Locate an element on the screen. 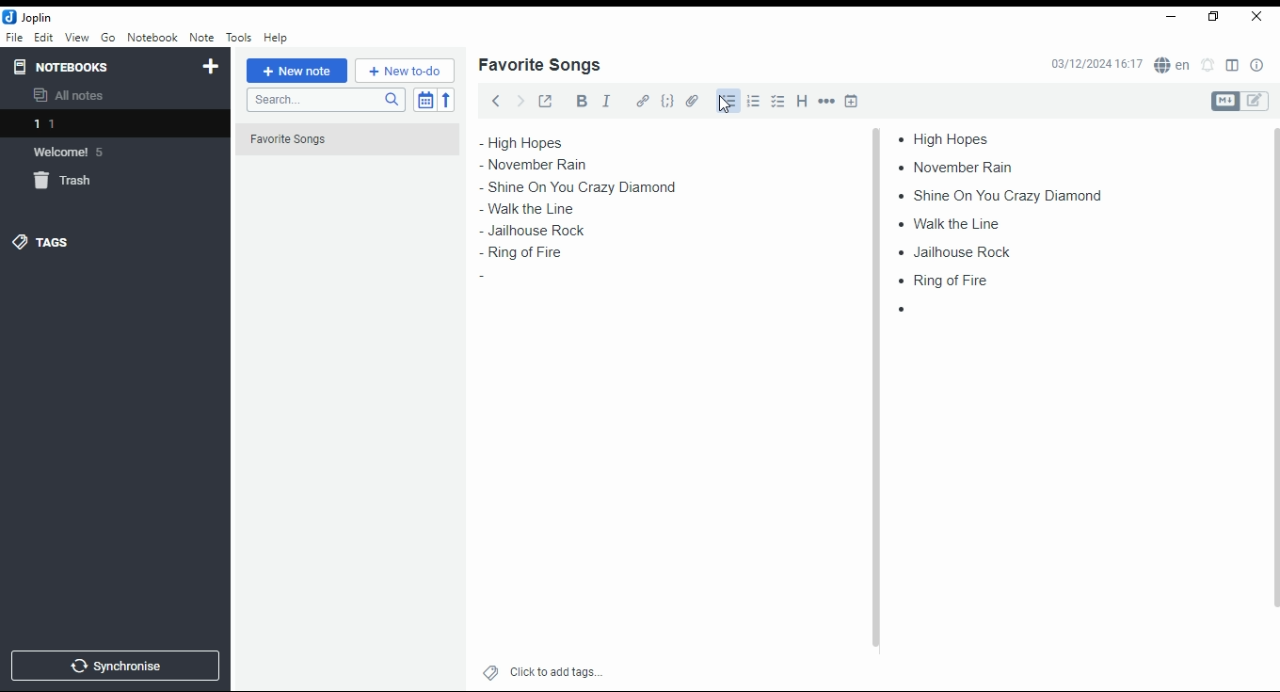 The height and width of the screenshot is (692, 1280). walk ta line is located at coordinates (952, 222).